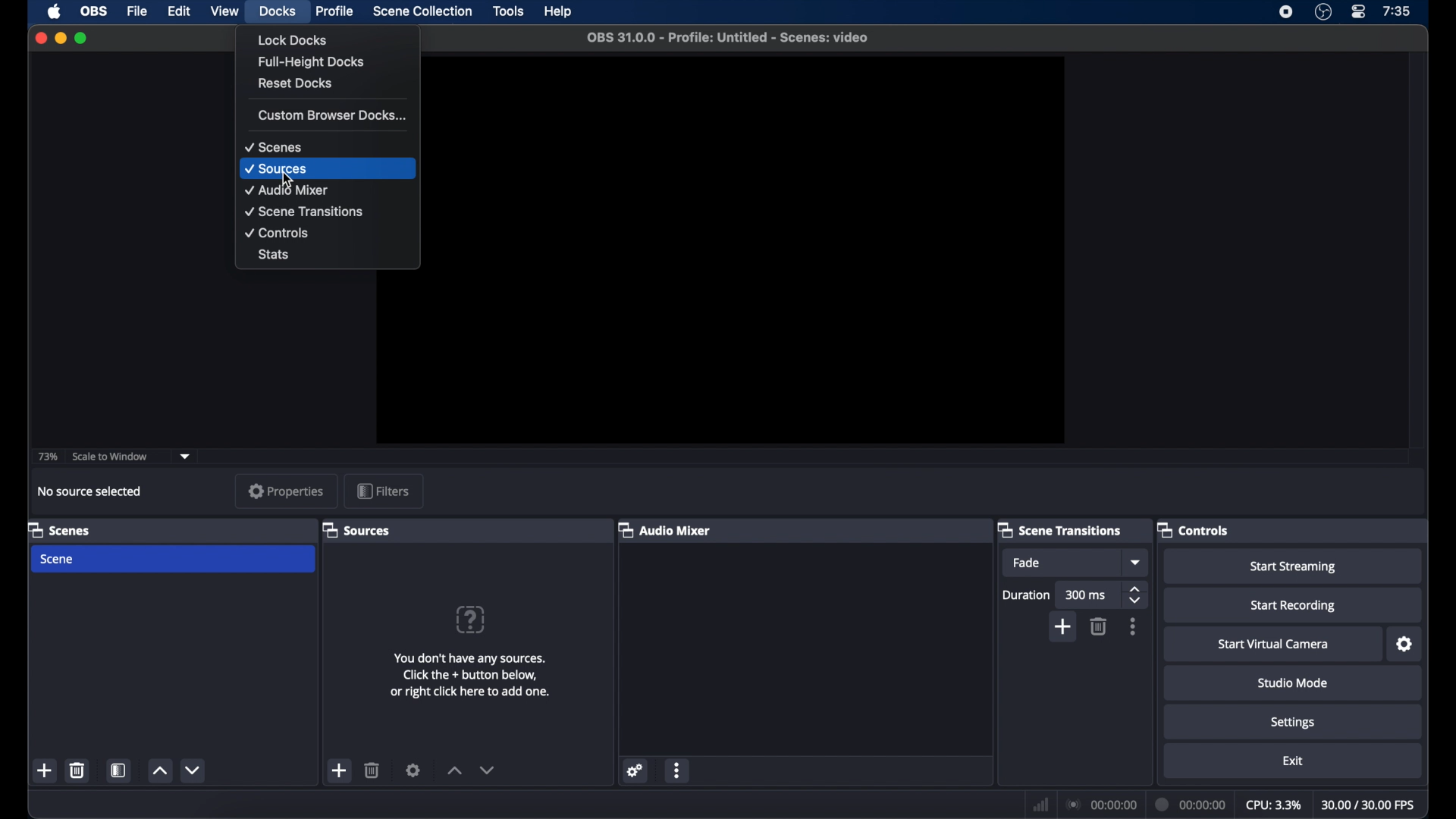 This screenshot has height=819, width=1456. What do you see at coordinates (469, 619) in the screenshot?
I see `help` at bounding box center [469, 619].